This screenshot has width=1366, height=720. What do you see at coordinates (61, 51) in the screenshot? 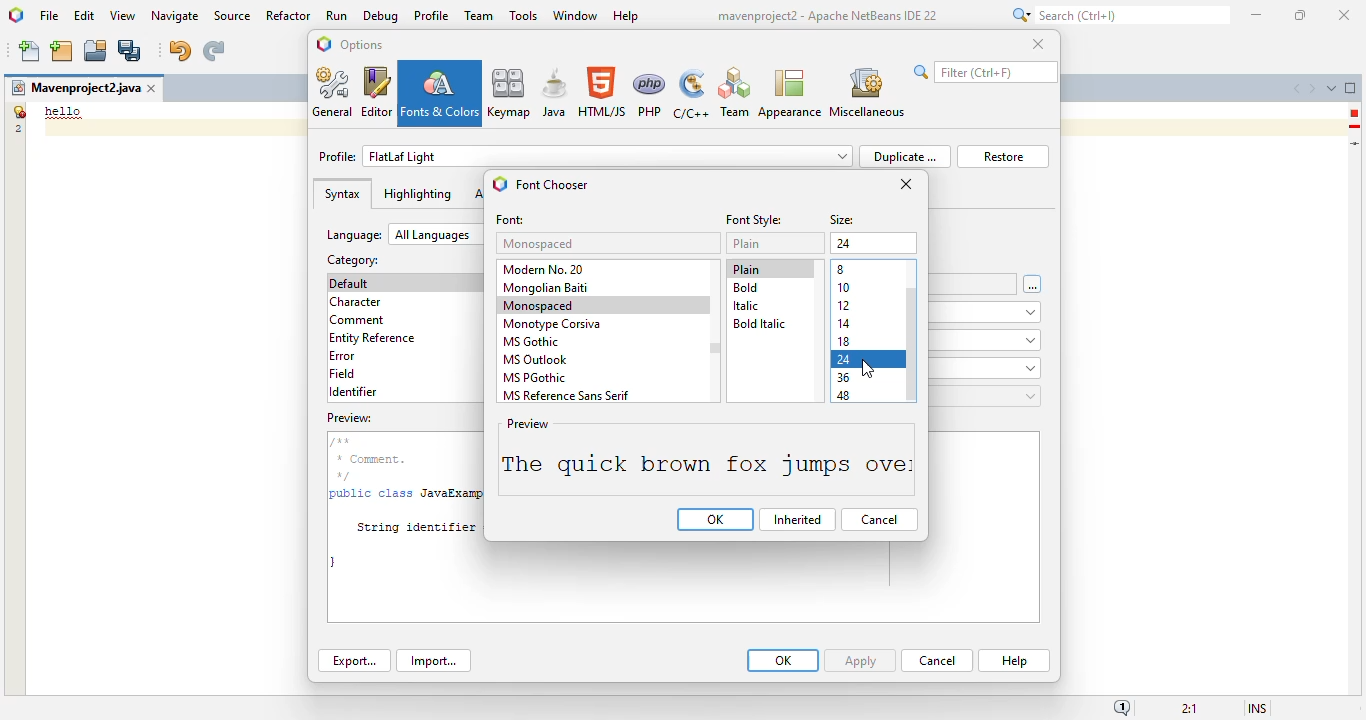
I see `new project` at bounding box center [61, 51].